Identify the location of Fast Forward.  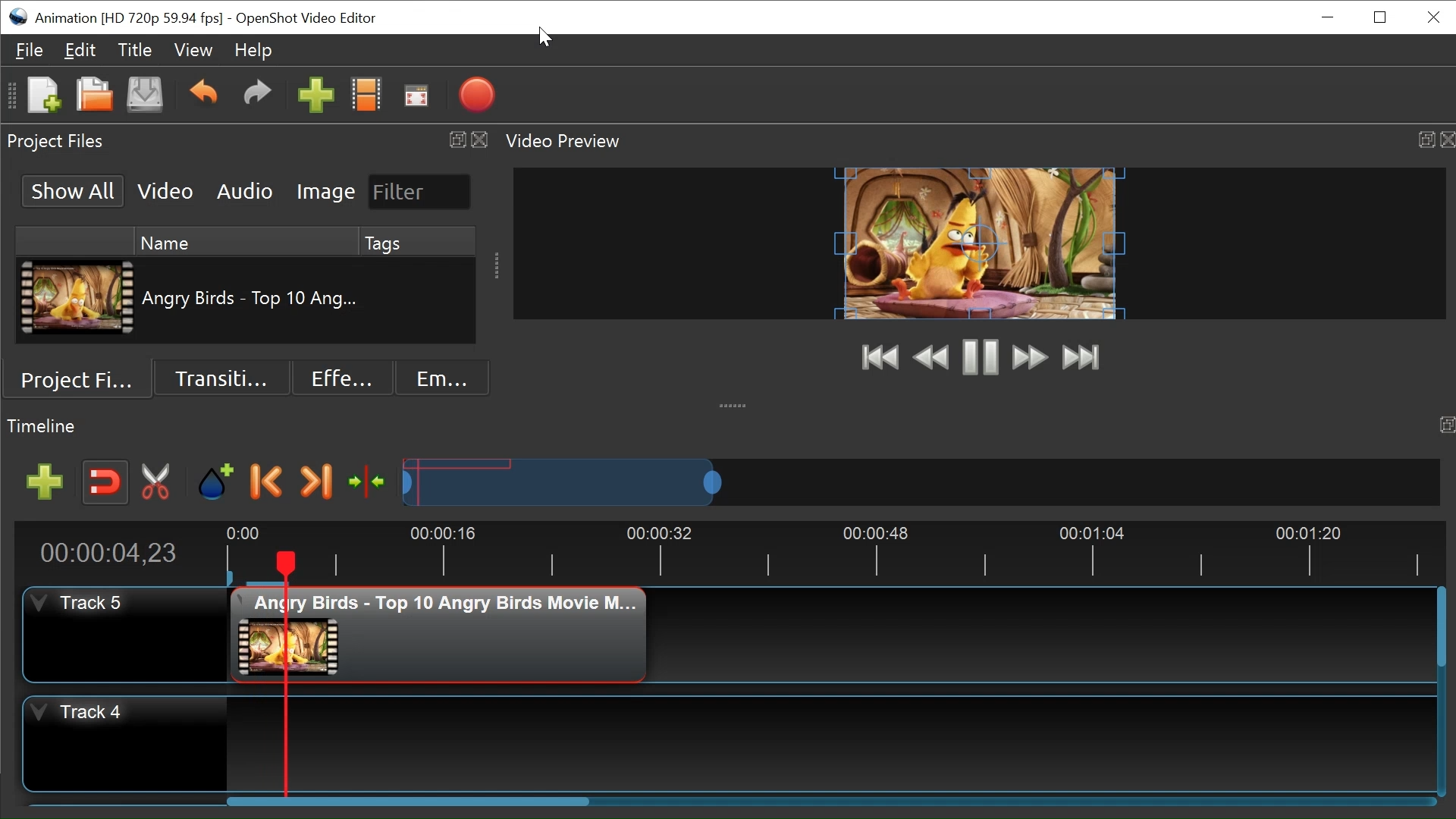
(1030, 359).